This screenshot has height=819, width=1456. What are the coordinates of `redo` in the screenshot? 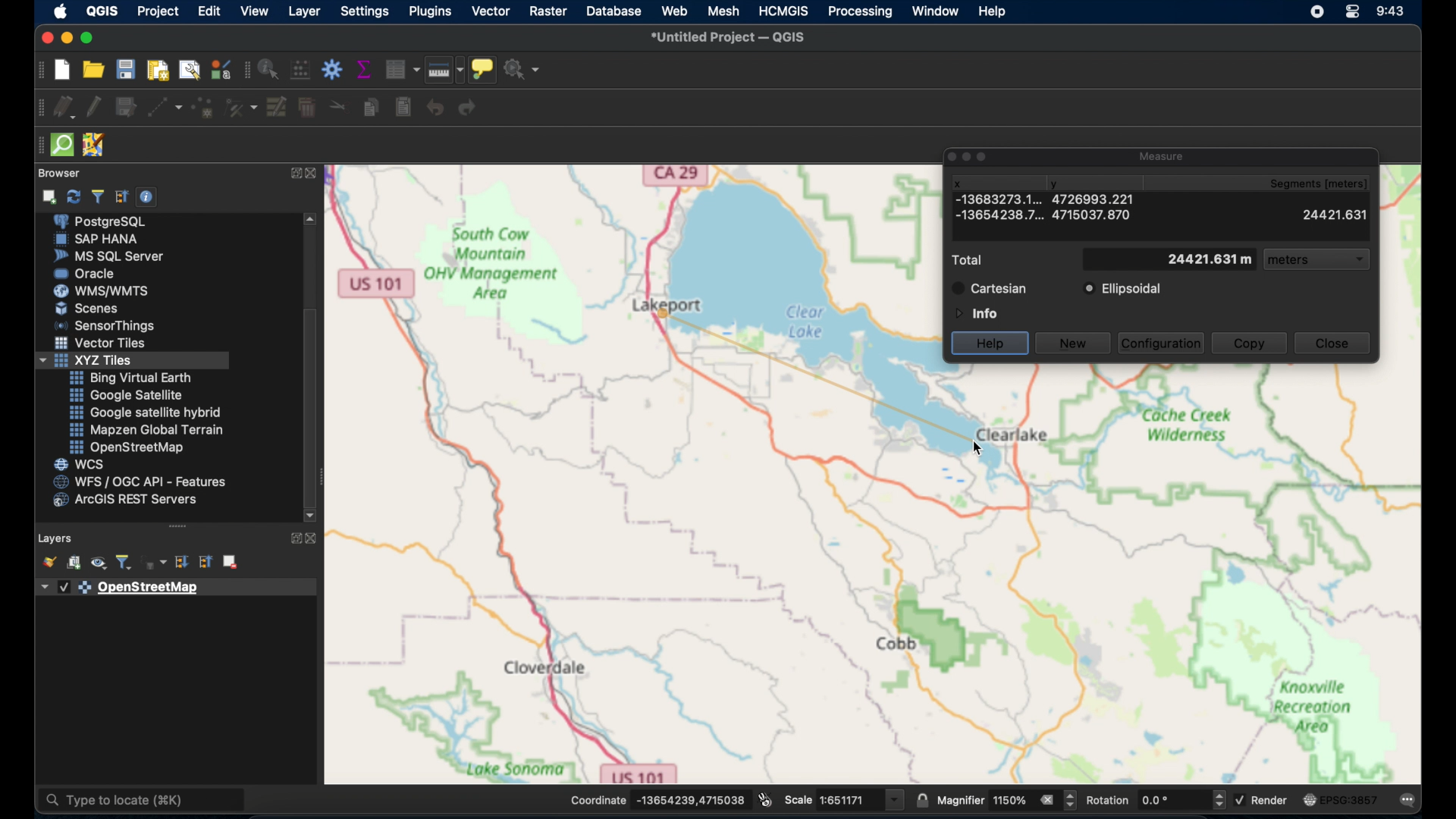 It's located at (470, 109).